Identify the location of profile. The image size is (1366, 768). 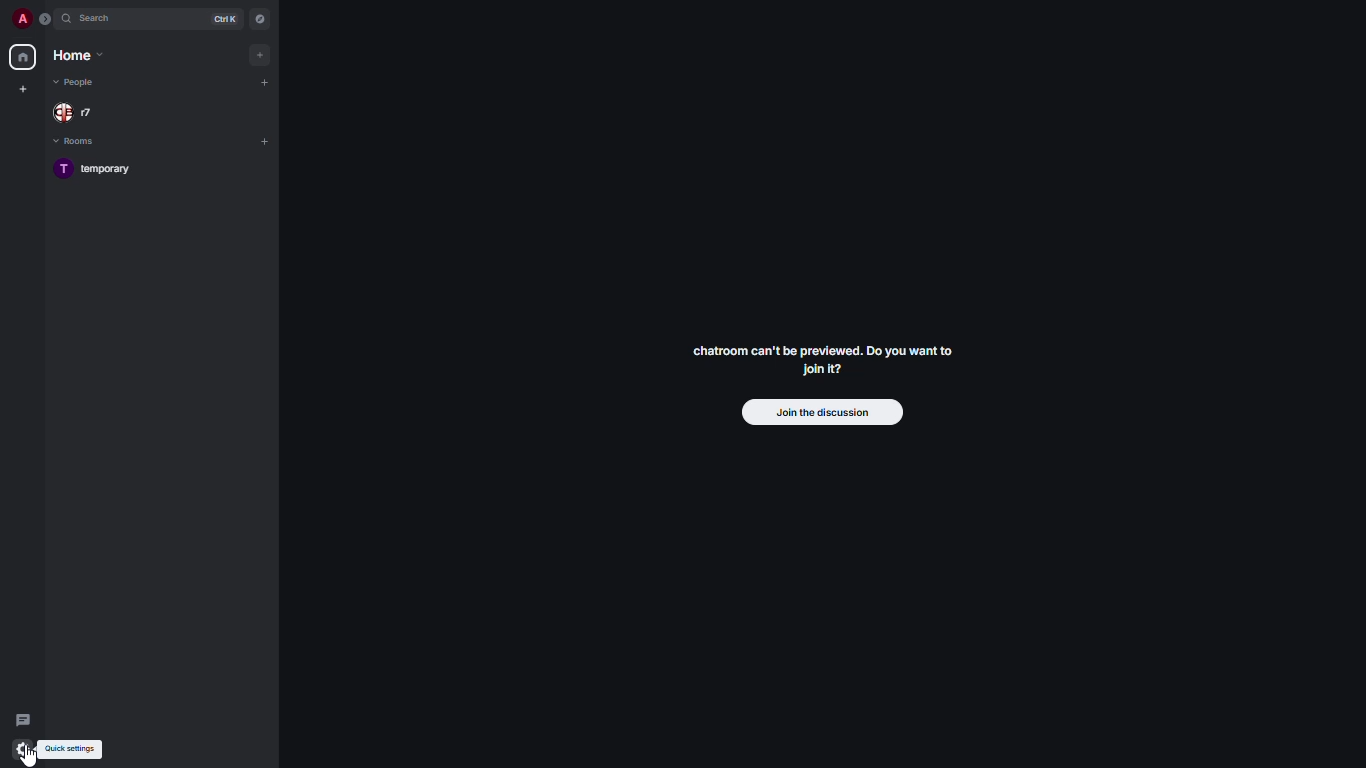
(19, 19).